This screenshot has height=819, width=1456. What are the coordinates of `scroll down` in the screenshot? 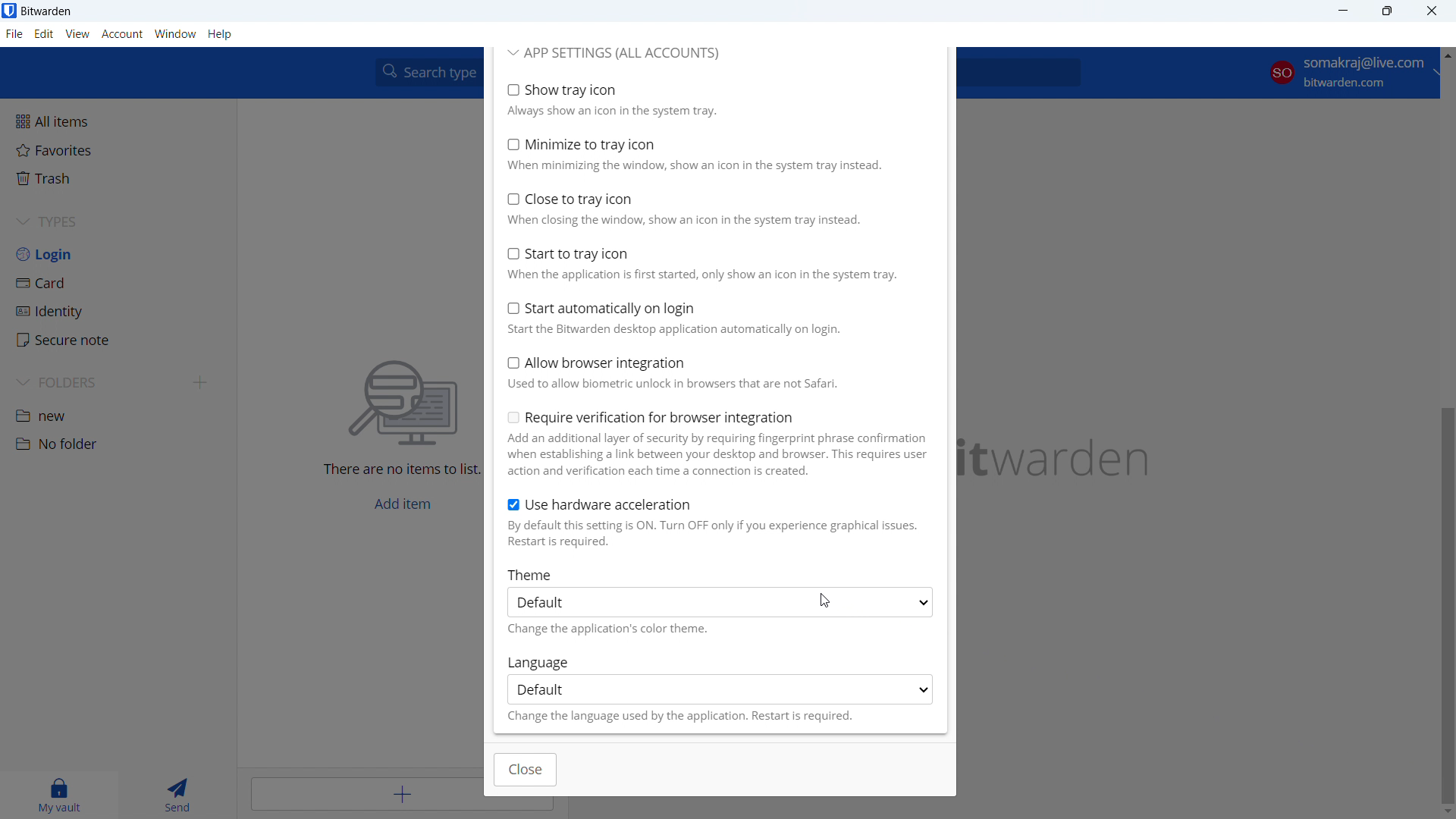 It's located at (1447, 810).